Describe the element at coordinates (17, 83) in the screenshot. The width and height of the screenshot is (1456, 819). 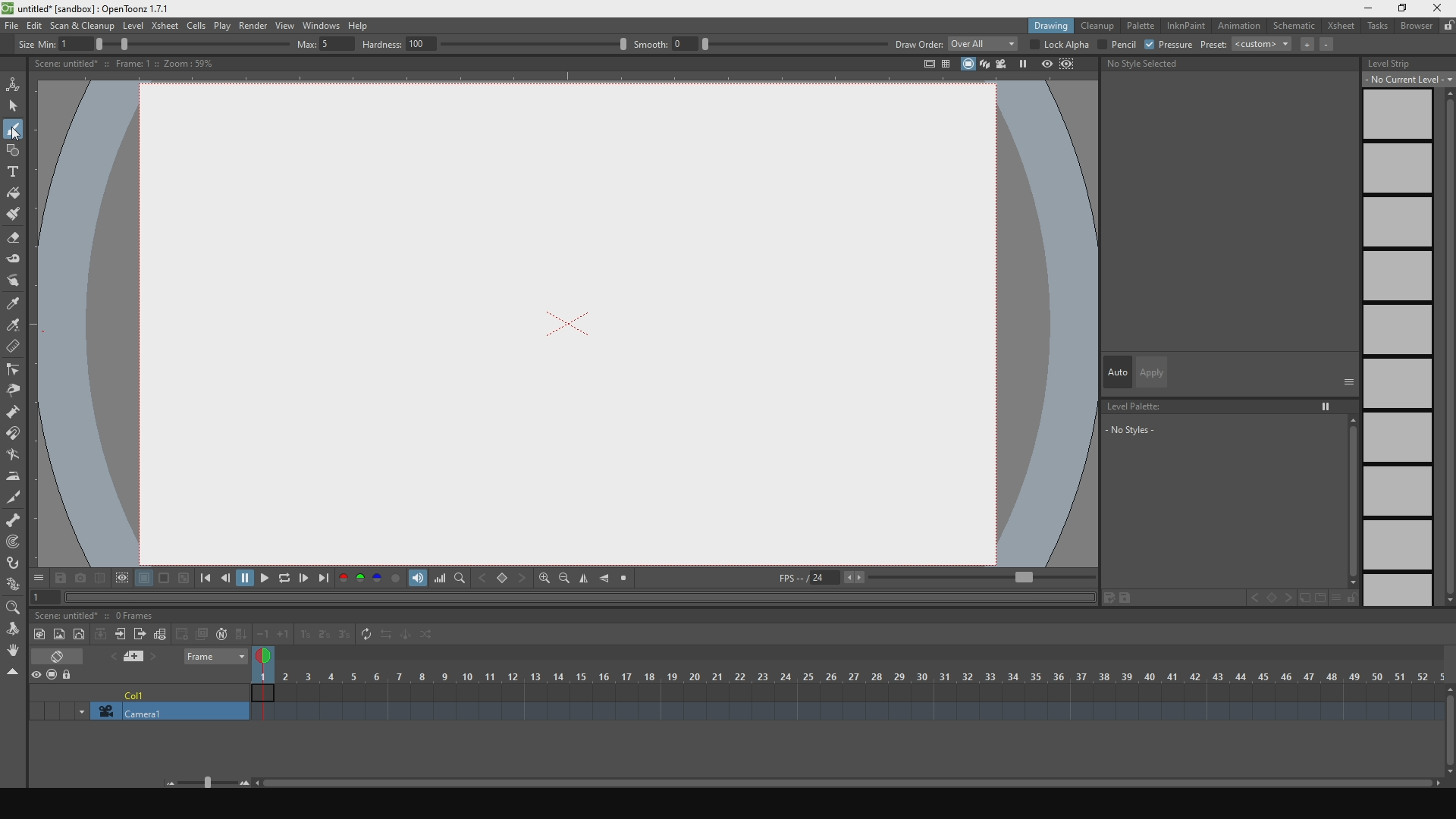
I see `animate` at that location.